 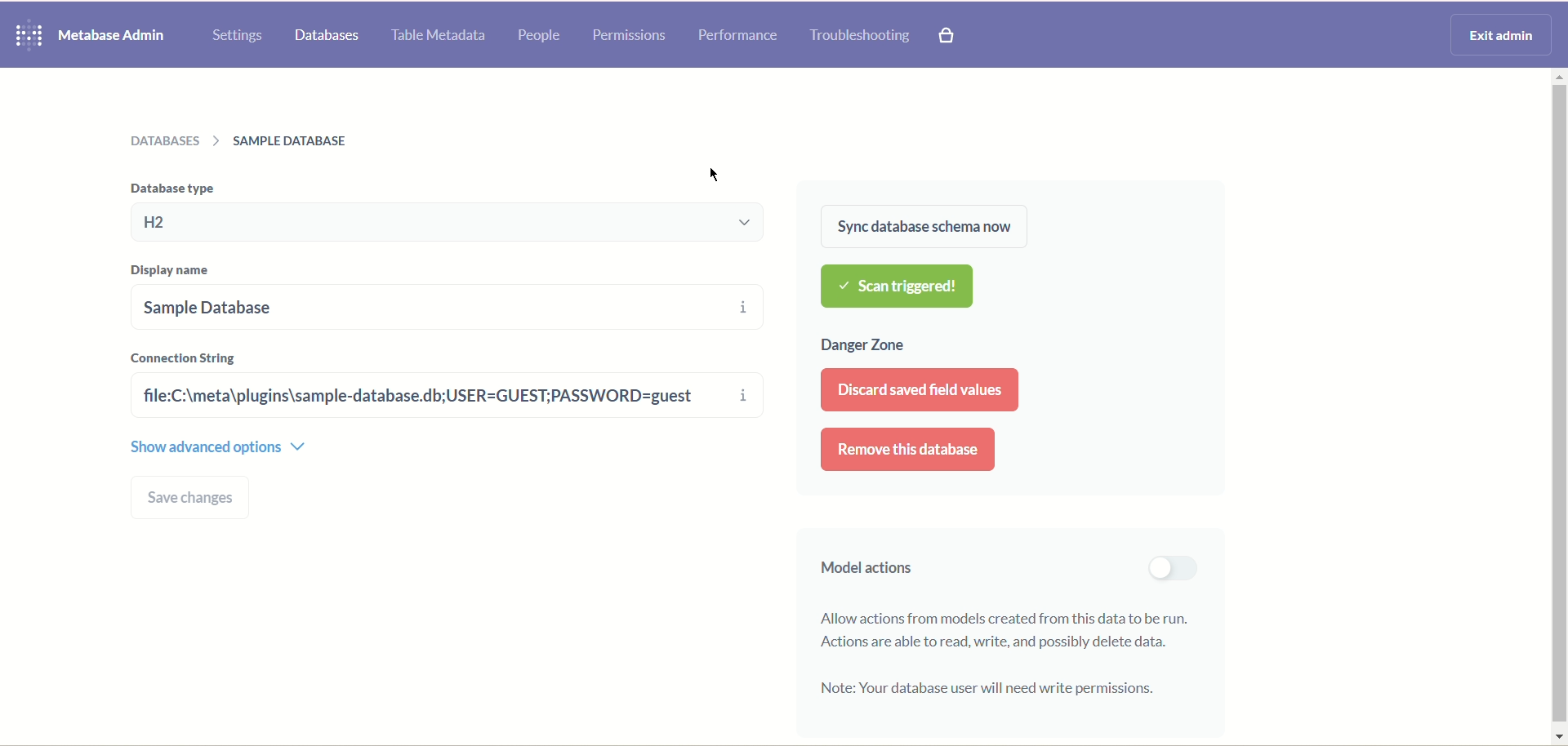 What do you see at coordinates (25, 36) in the screenshot?
I see `logo` at bounding box center [25, 36].